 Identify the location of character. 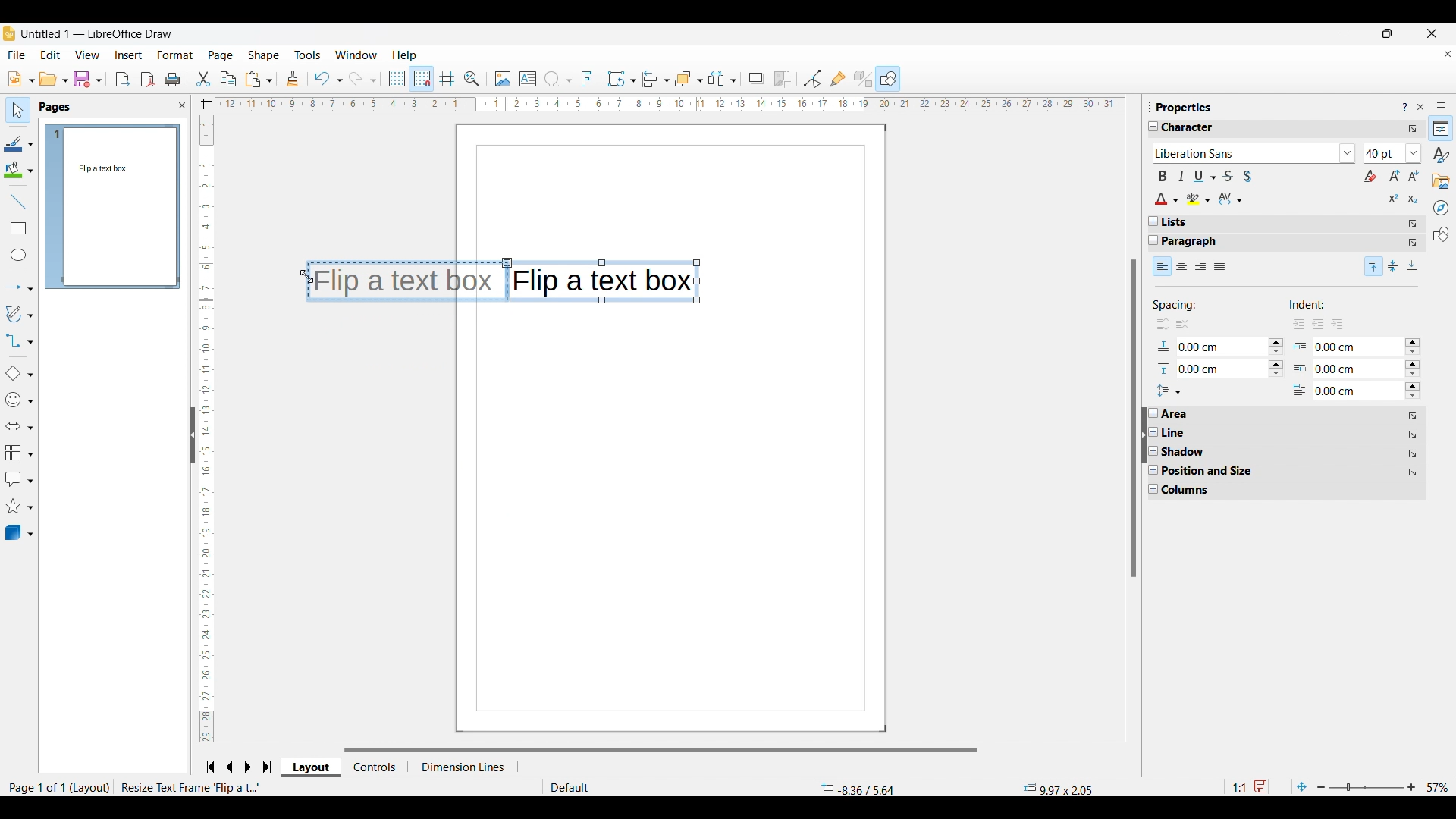
(1194, 128).